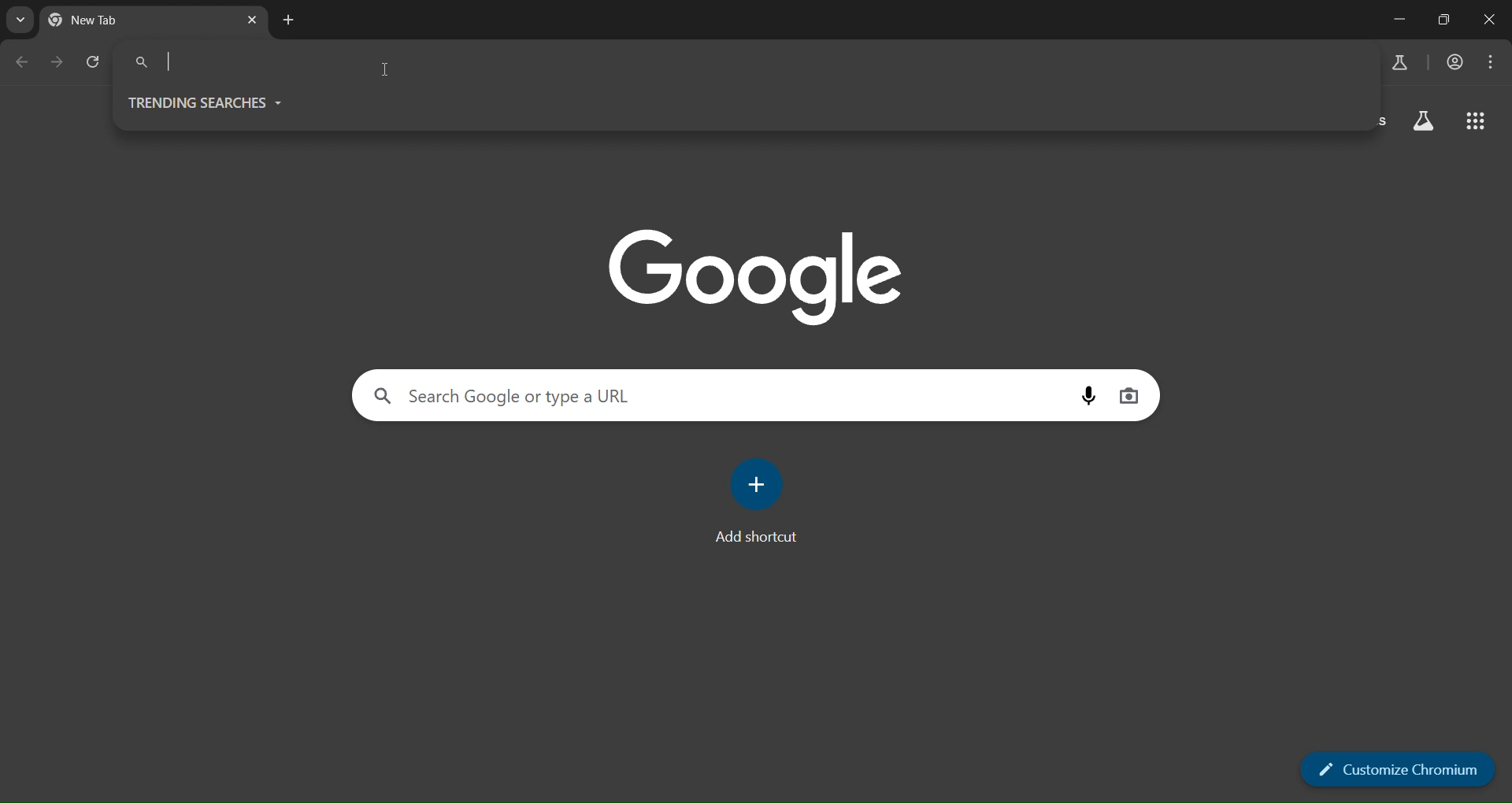  Describe the element at coordinates (289, 20) in the screenshot. I see `new tab` at that location.